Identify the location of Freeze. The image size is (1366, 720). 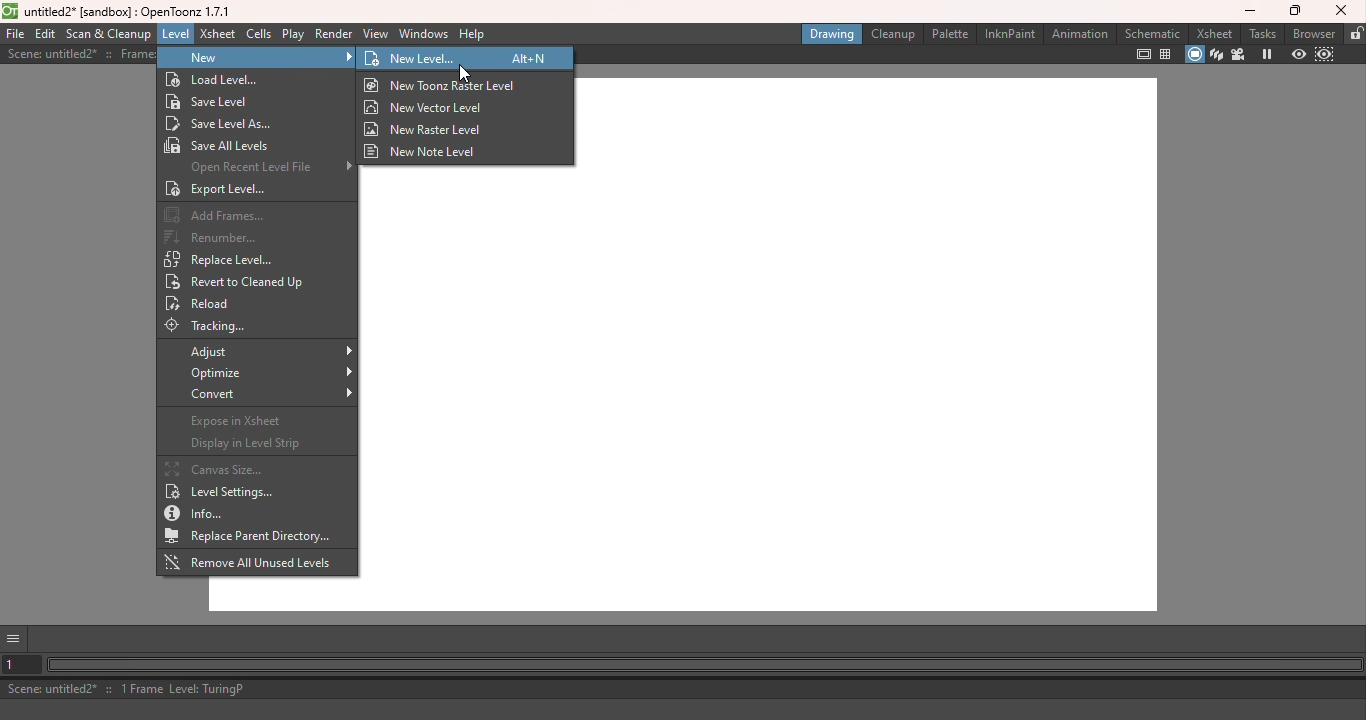
(1262, 54).